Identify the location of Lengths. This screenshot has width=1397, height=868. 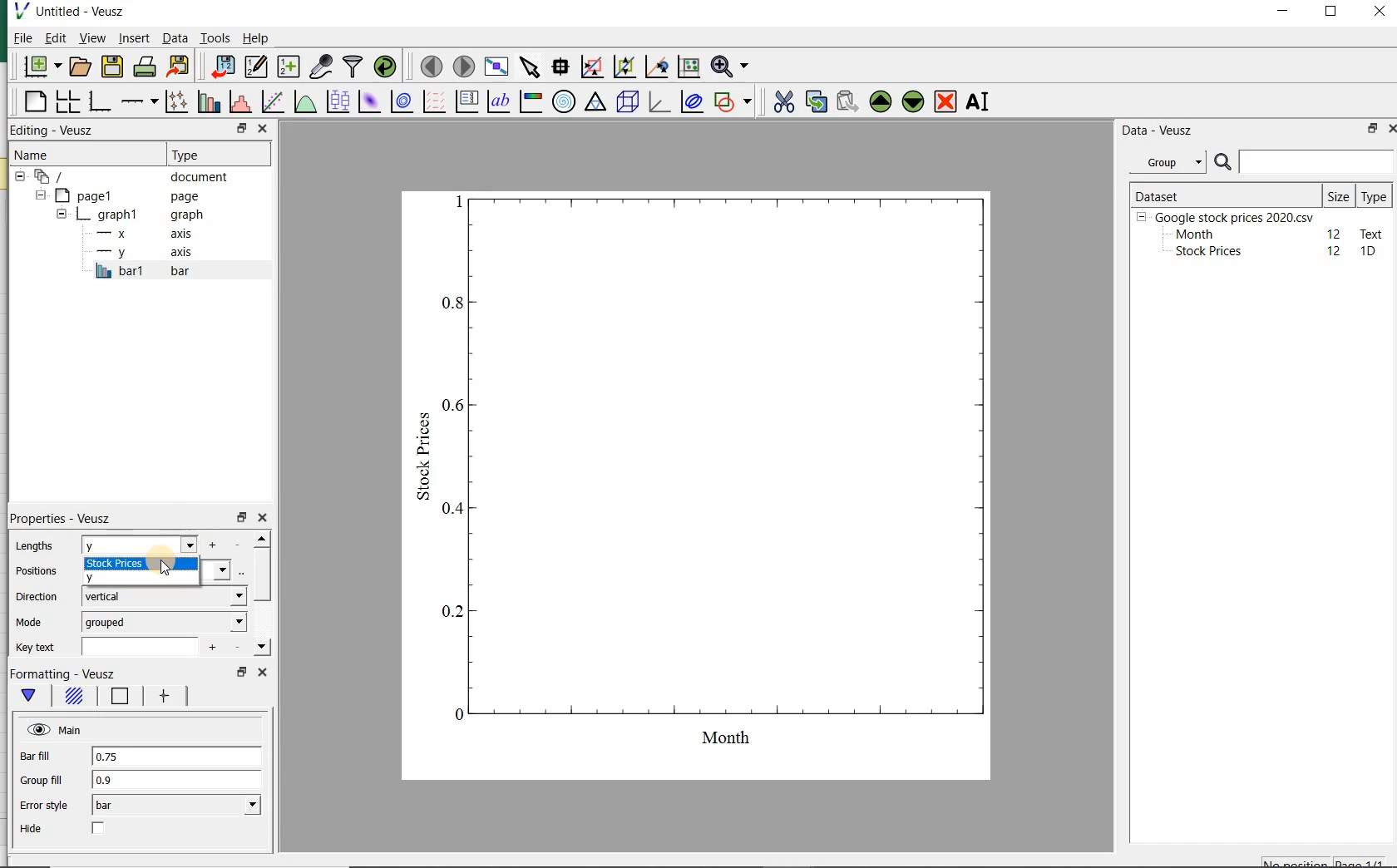
(32, 547).